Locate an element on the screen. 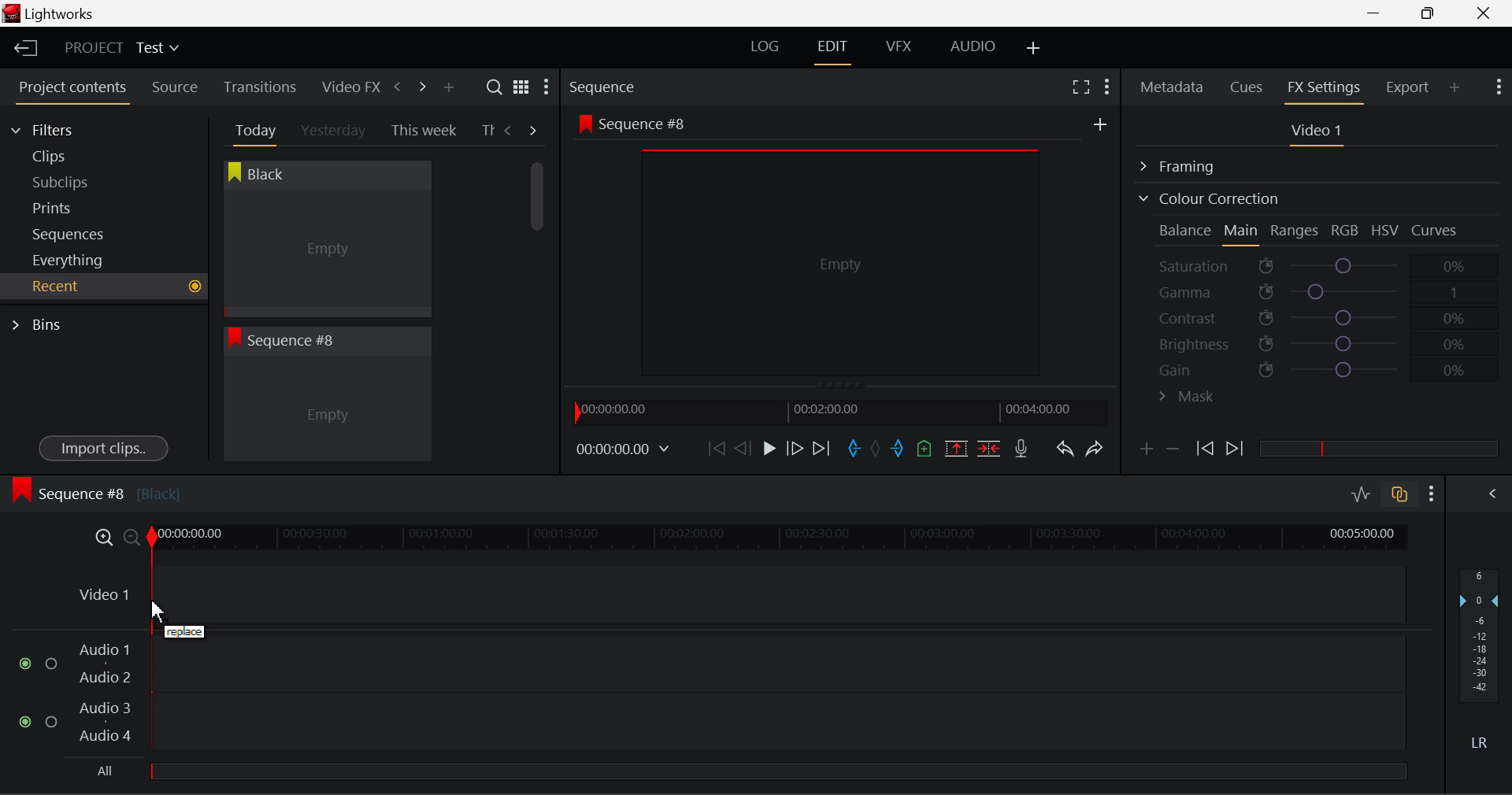 The image size is (1512, 795). Show Settings is located at coordinates (545, 91).